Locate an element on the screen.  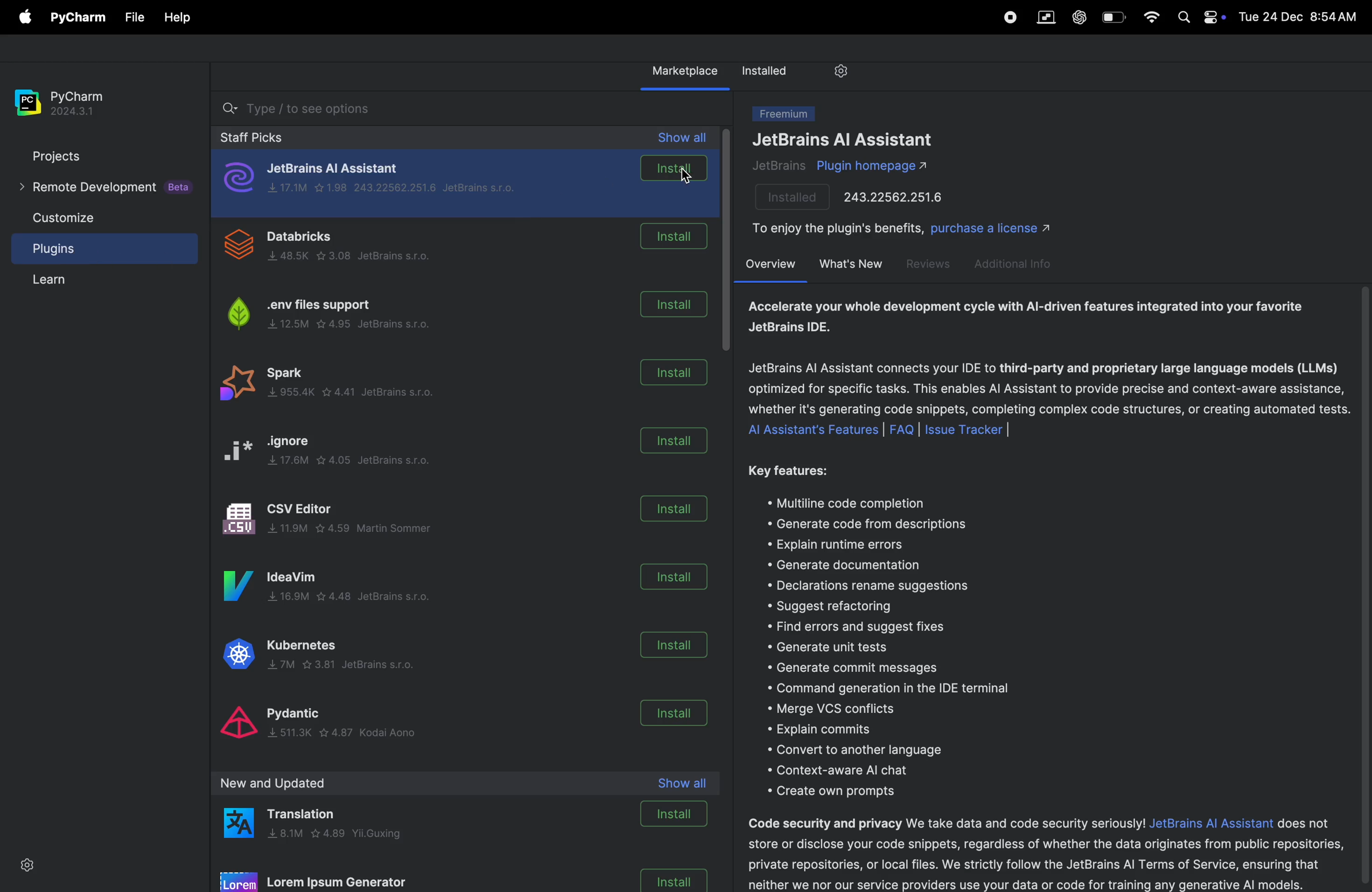
install is located at coordinates (674, 573).